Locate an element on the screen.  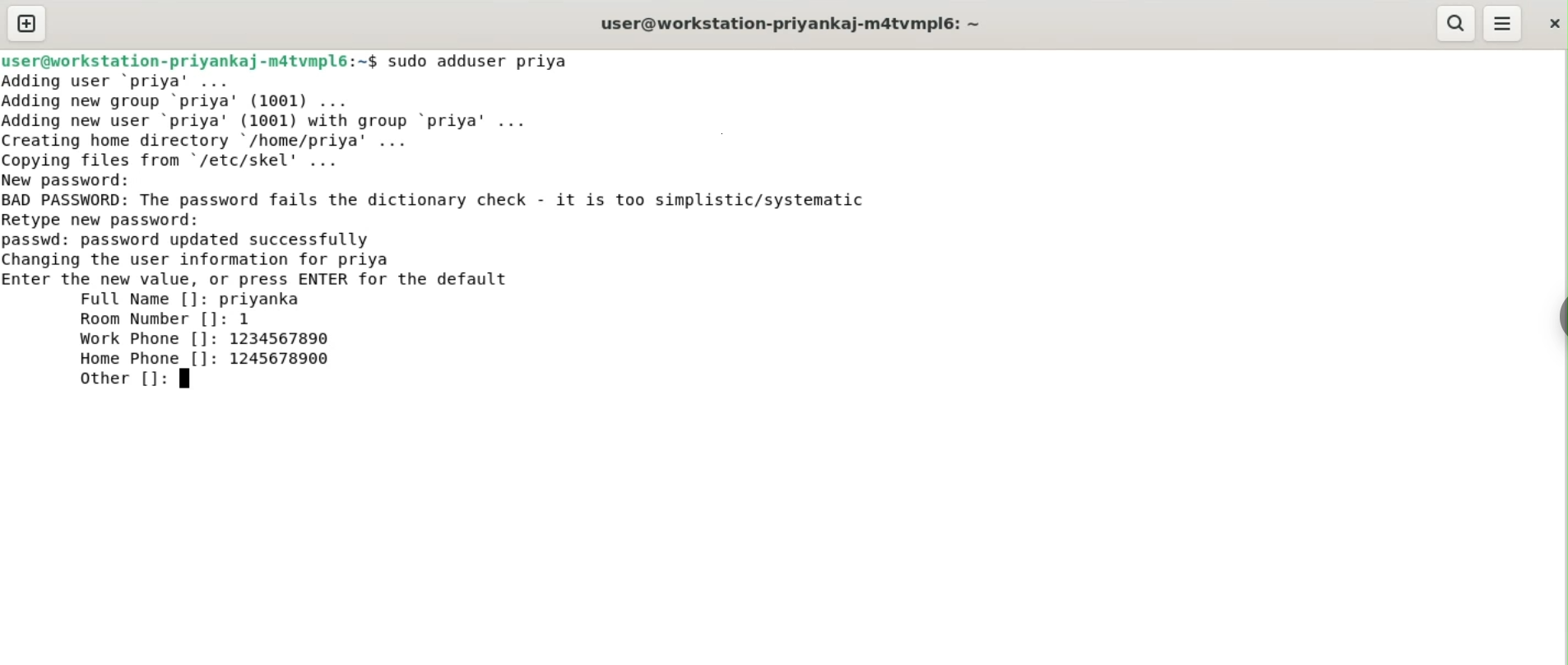
1234567890 is located at coordinates (290, 340).